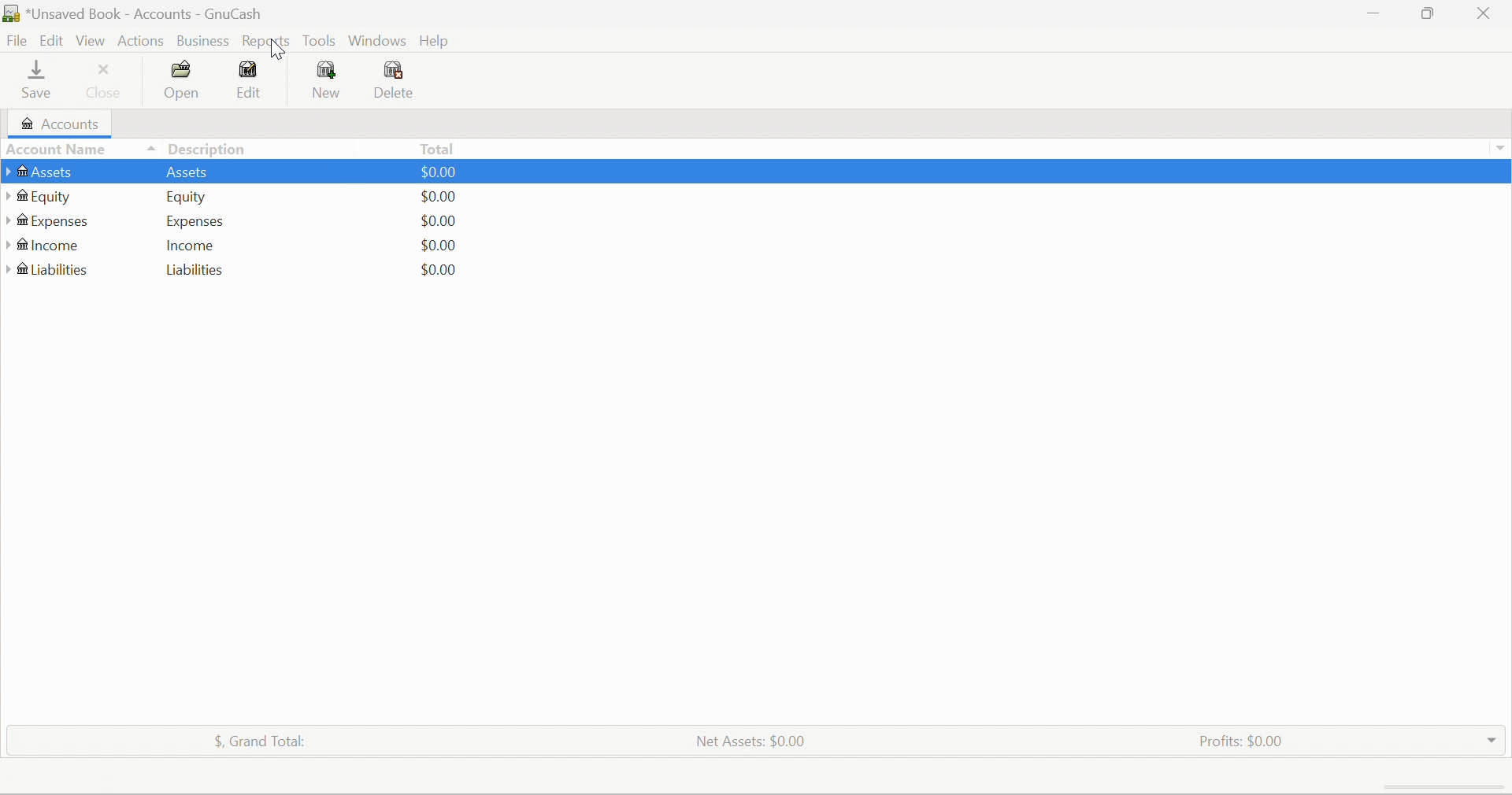 This screenshot has width=1512, height=795. I want to click on Equity, so click(42, 197).